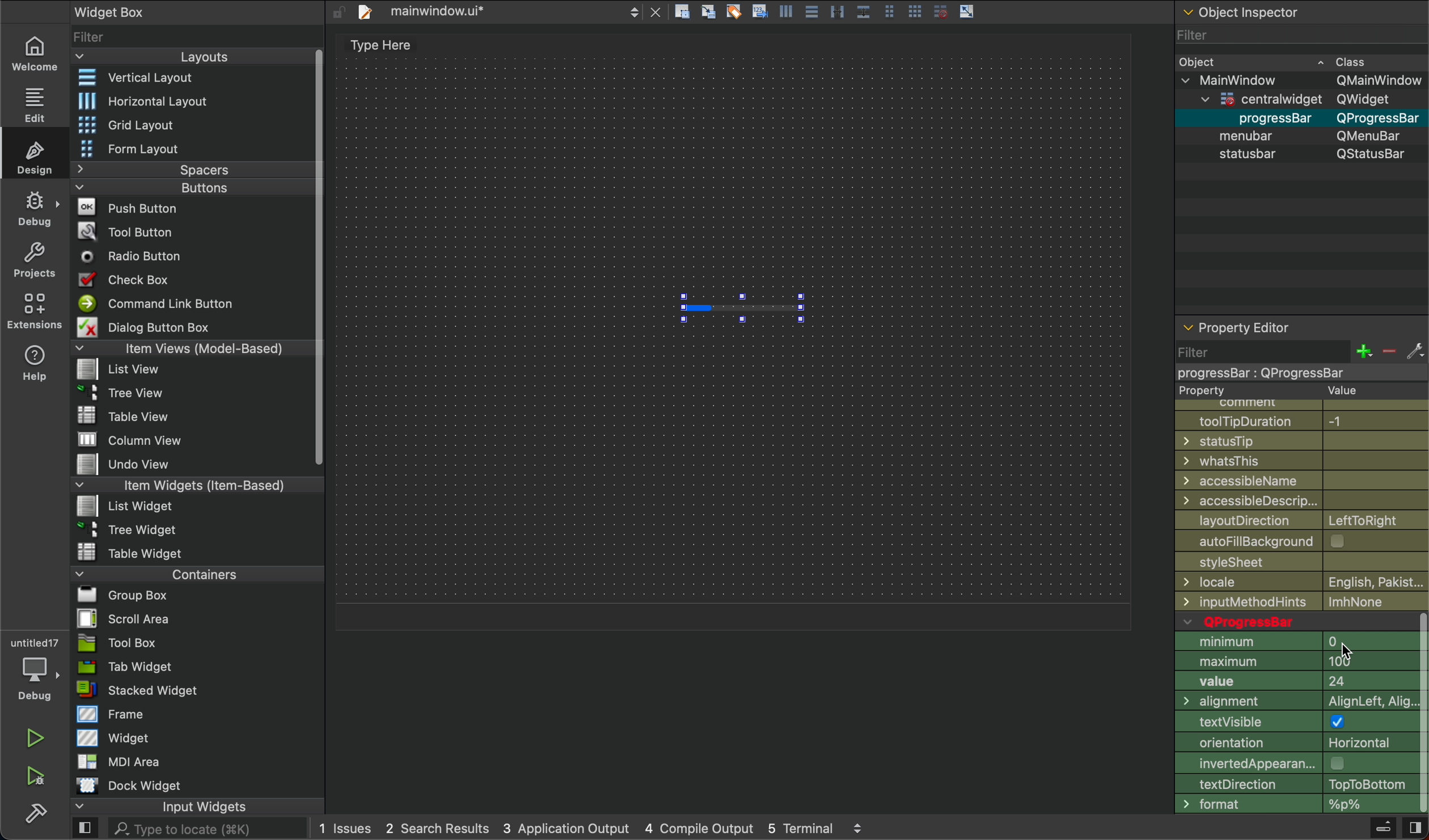 This screenshot has width=1429, height=840. What do you see at coordinates (36, 260) in the screenshot?
I see `project` at bounding box center [36, 260].